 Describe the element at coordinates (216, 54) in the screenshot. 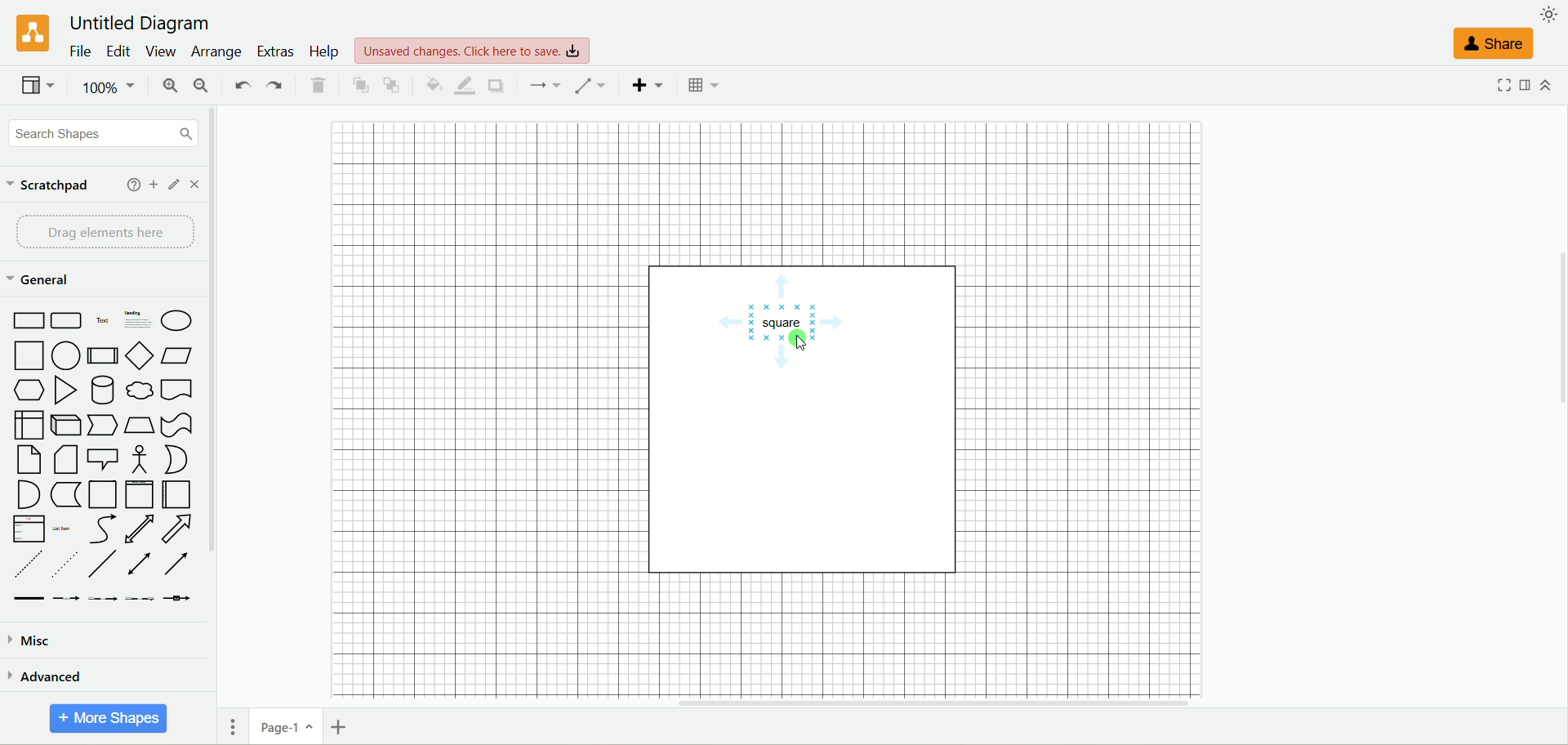

I see `arrange` at that location.